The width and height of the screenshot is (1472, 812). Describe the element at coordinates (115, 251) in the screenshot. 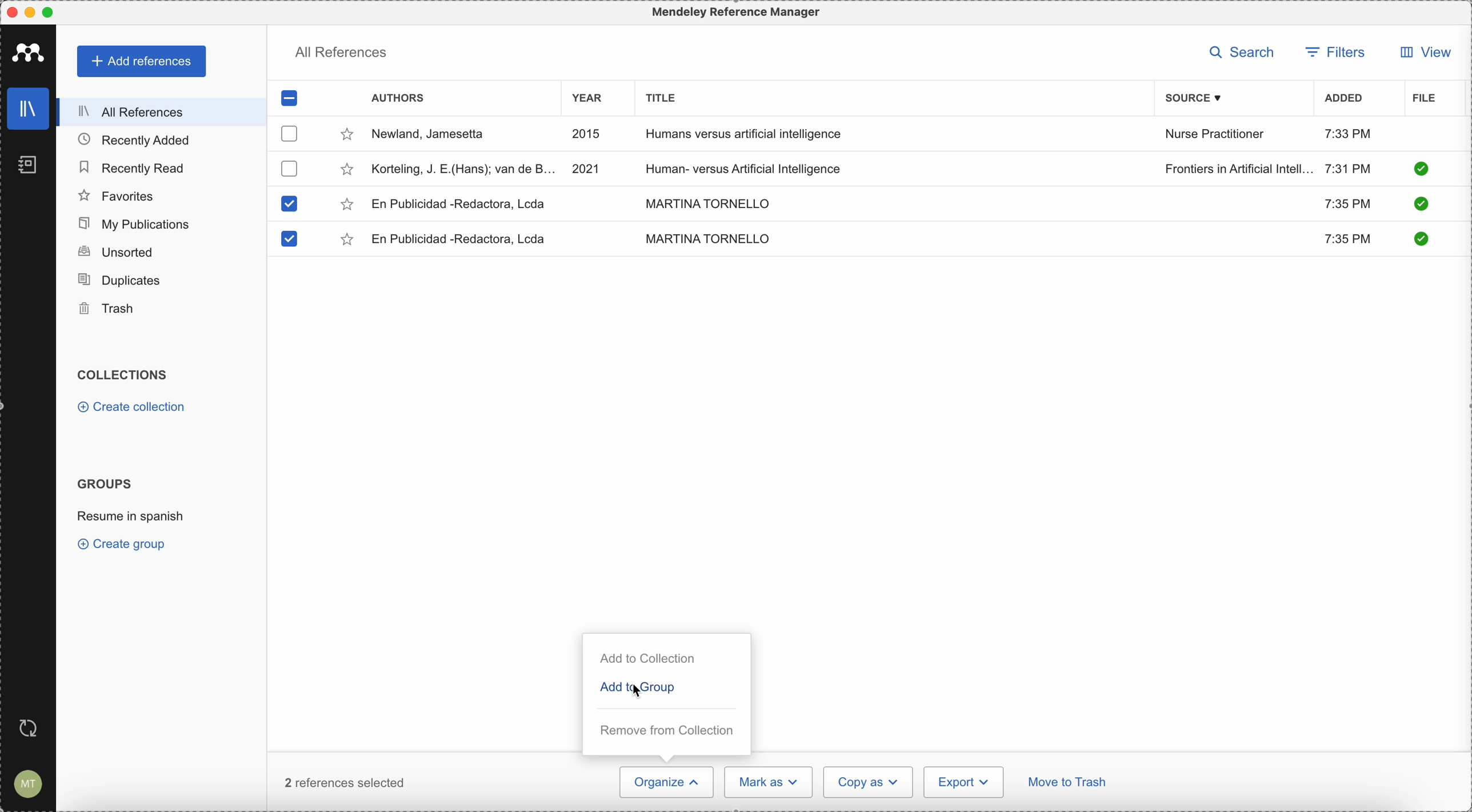

I see `unsorted` at that location.